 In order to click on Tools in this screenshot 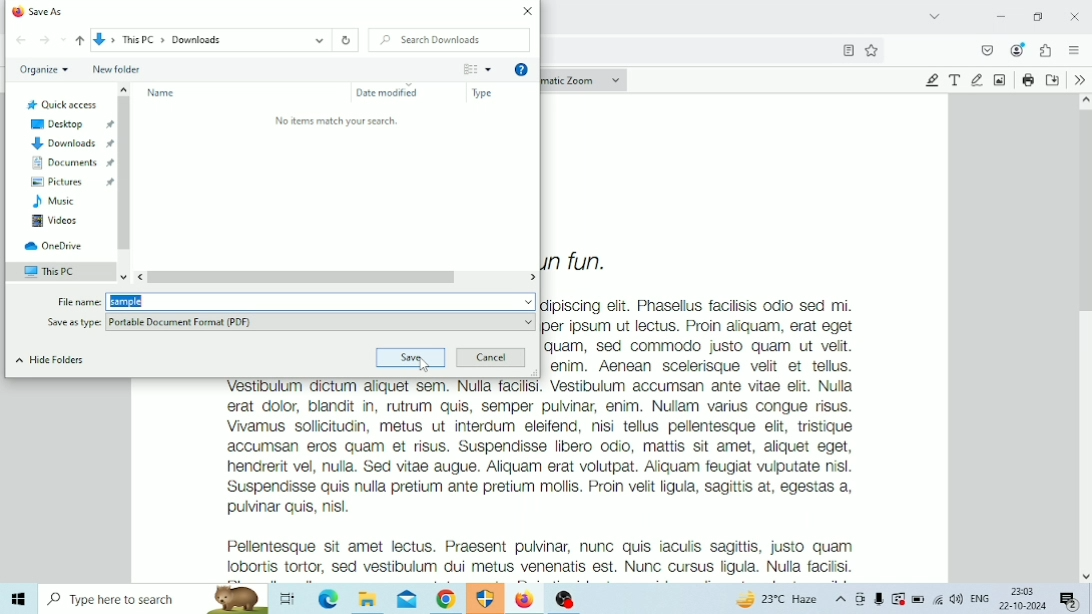, I will do `click(1080, 79)`.